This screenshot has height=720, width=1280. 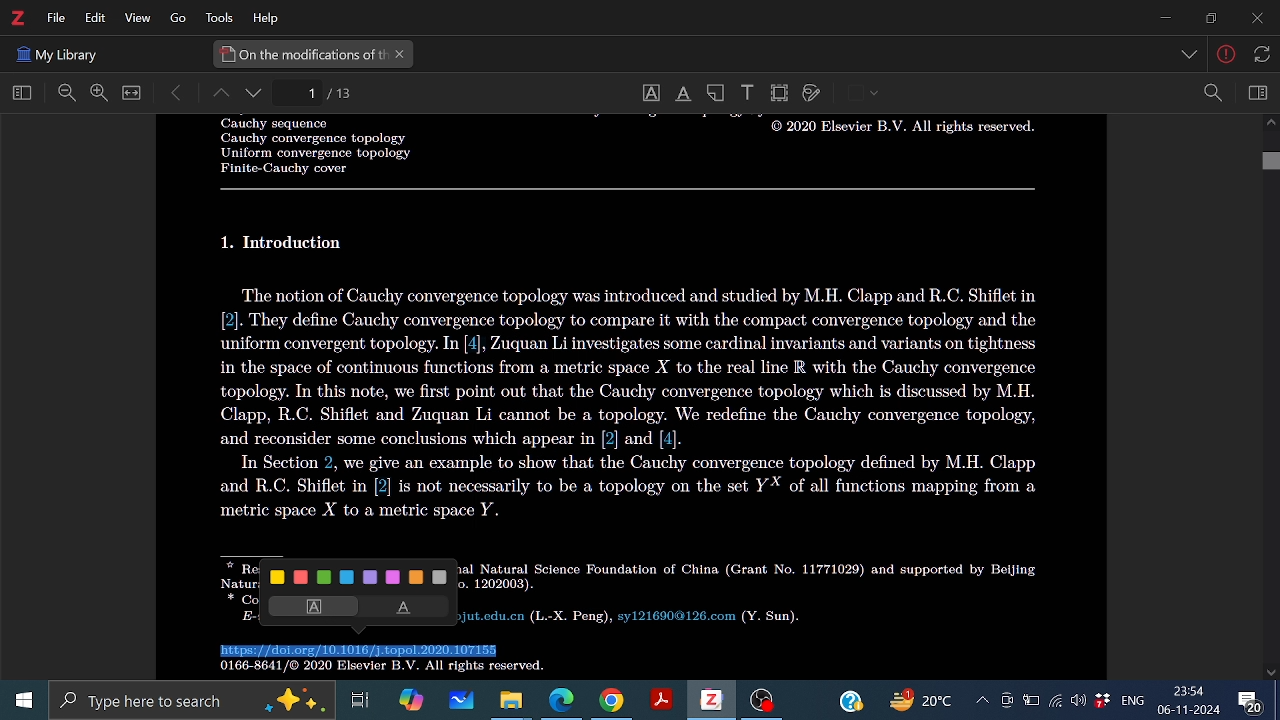 What do you see at coordinates (682, 94) in the screenshot?
I see `Underline text` at bounding box center [682, 94].